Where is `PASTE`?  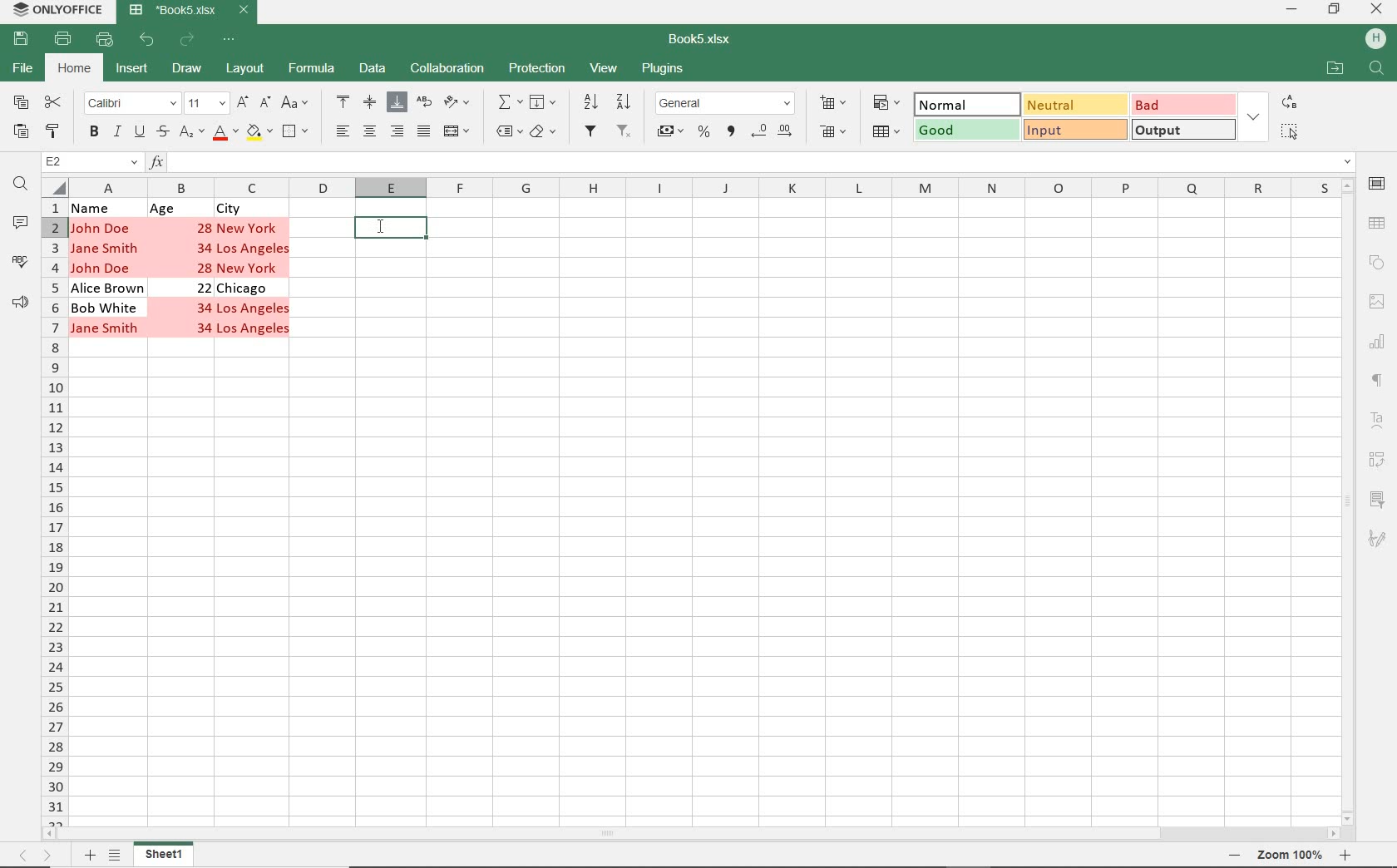
PASTE is located at coordinates (19, 133).